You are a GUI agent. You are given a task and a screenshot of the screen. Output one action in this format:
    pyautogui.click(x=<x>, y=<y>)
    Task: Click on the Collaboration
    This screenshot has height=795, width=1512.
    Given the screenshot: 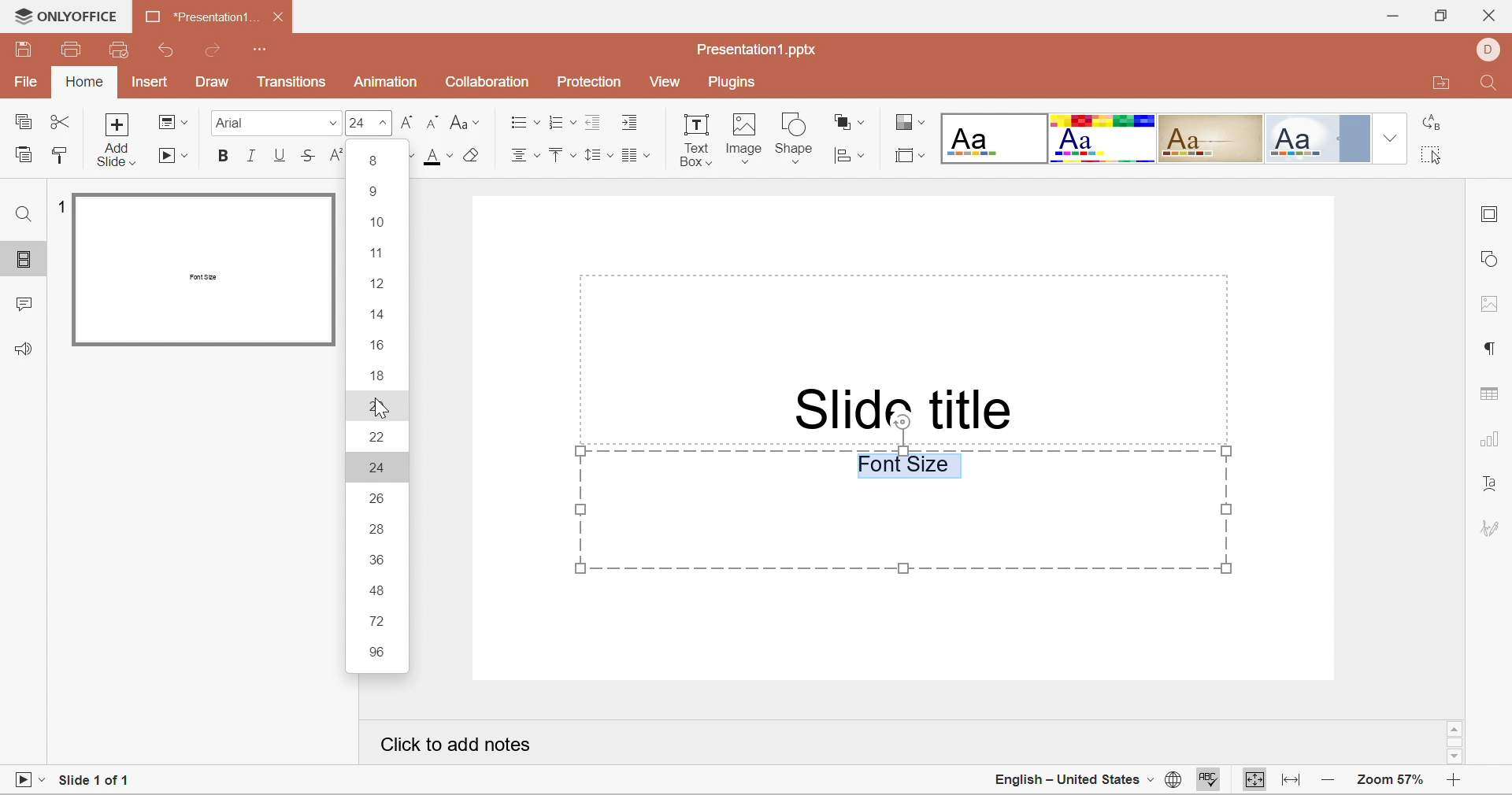 What is the action you would take?
    pyautogui.click(x=485, y=83)
    